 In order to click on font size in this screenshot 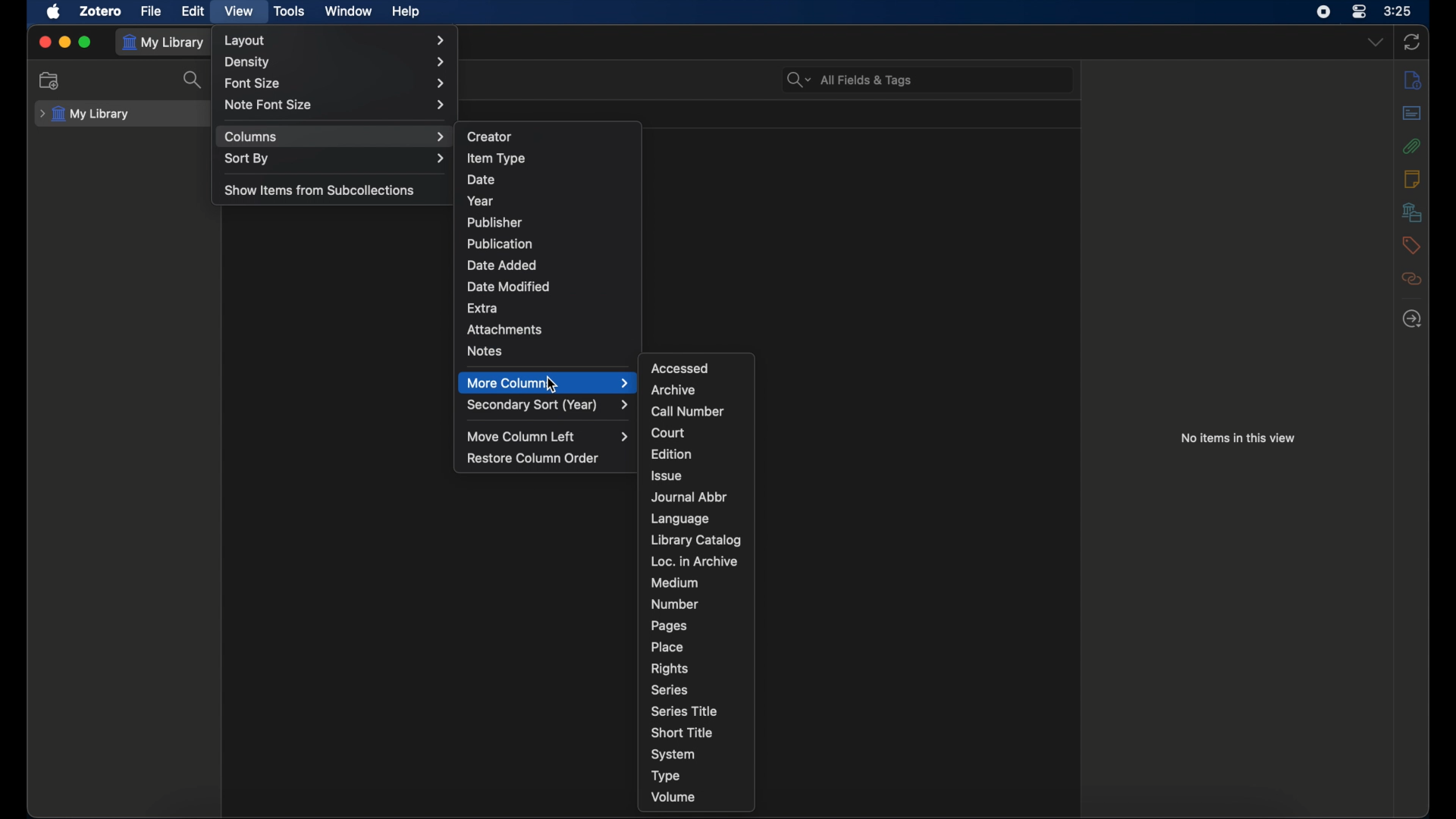, I will do `click(334, 83)`.